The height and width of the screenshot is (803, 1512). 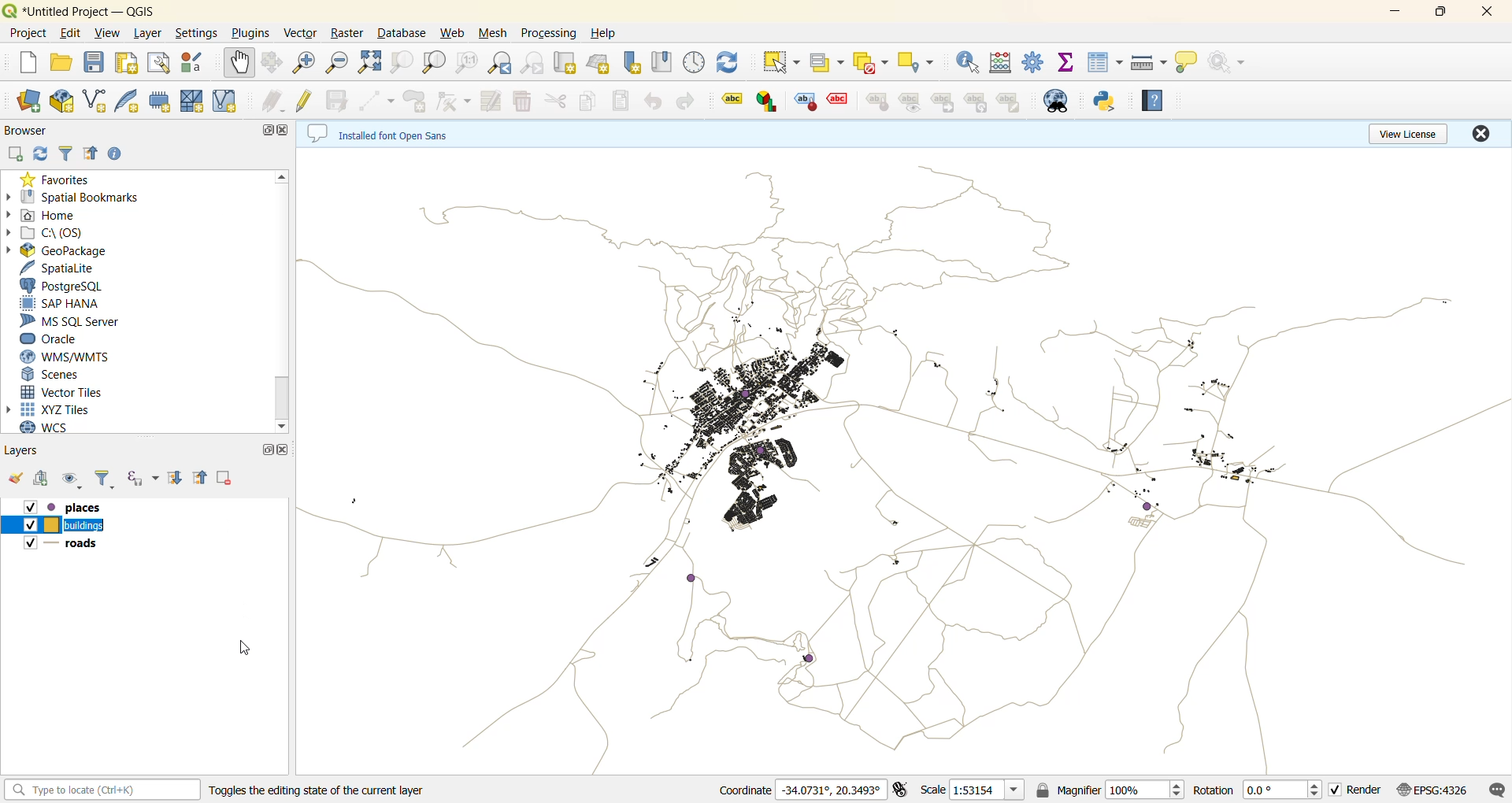 What do you see at coordinates (307, 100) in the screenshot?
I see `toggle edits` at bounding box center [307, 100].